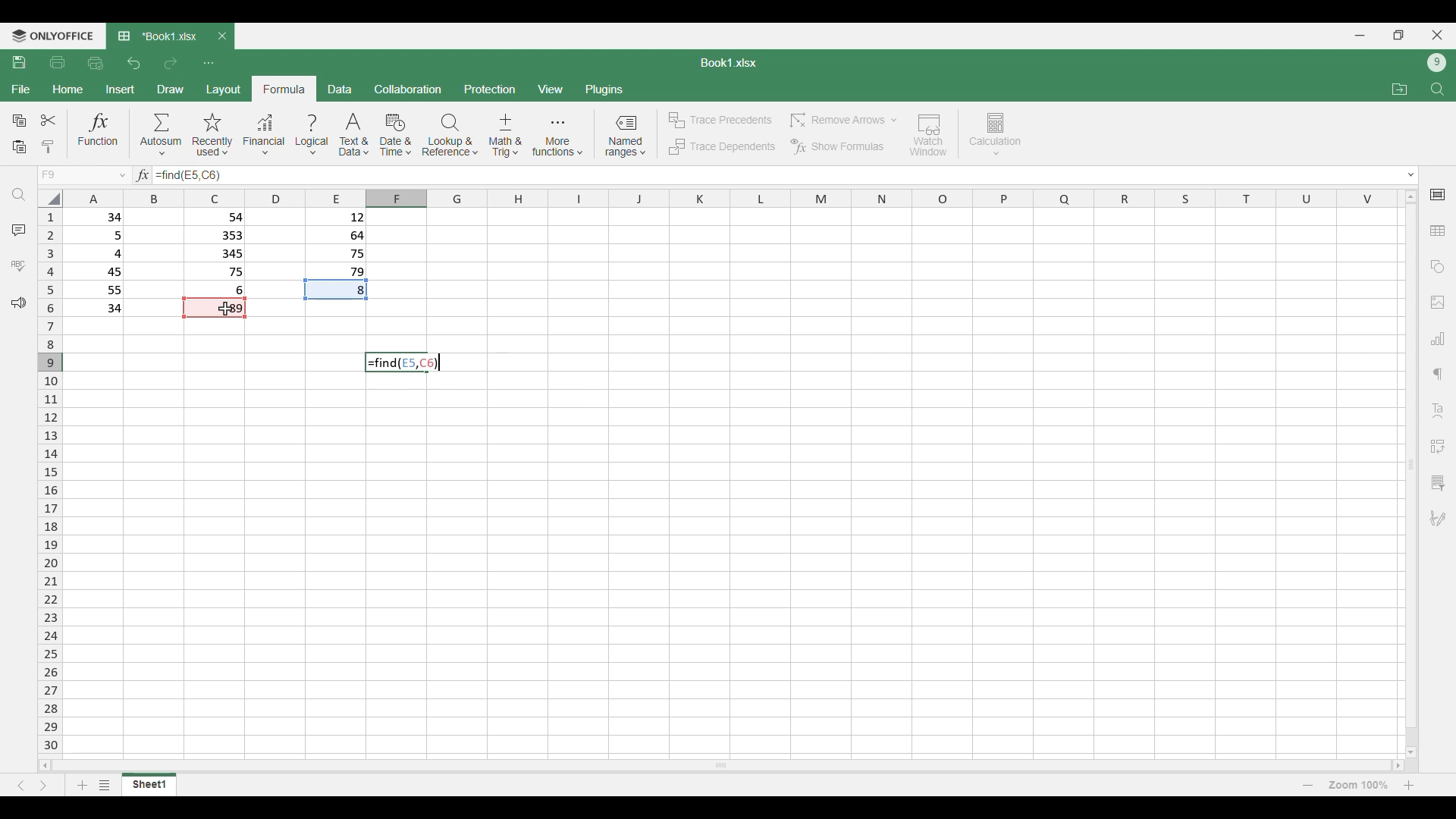 This screenshot has height=819, width=1456. I want to click on Software logo and name, so click(52, 36).